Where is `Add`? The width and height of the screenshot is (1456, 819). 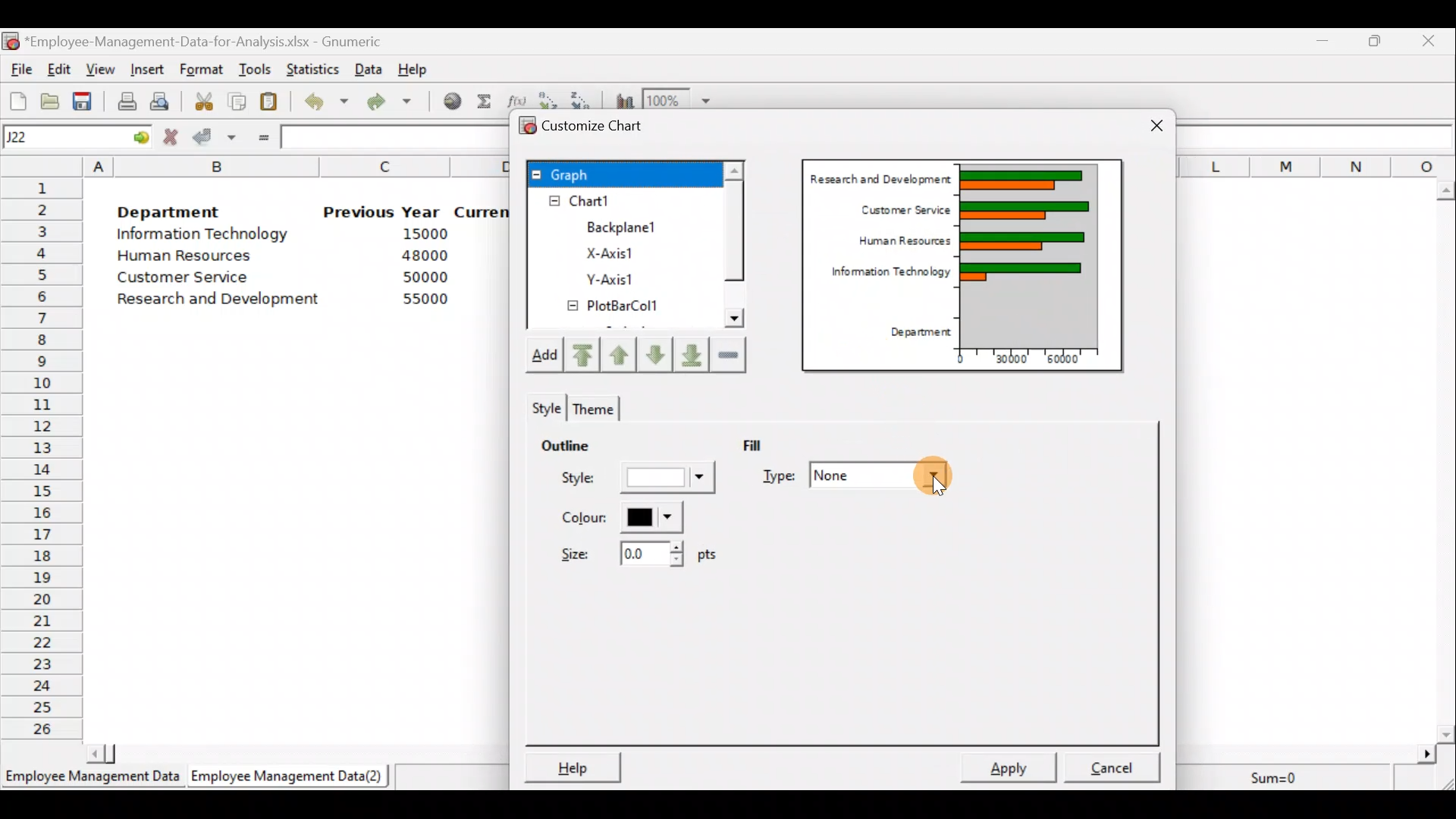 Add is located at coordinates (549, 356).